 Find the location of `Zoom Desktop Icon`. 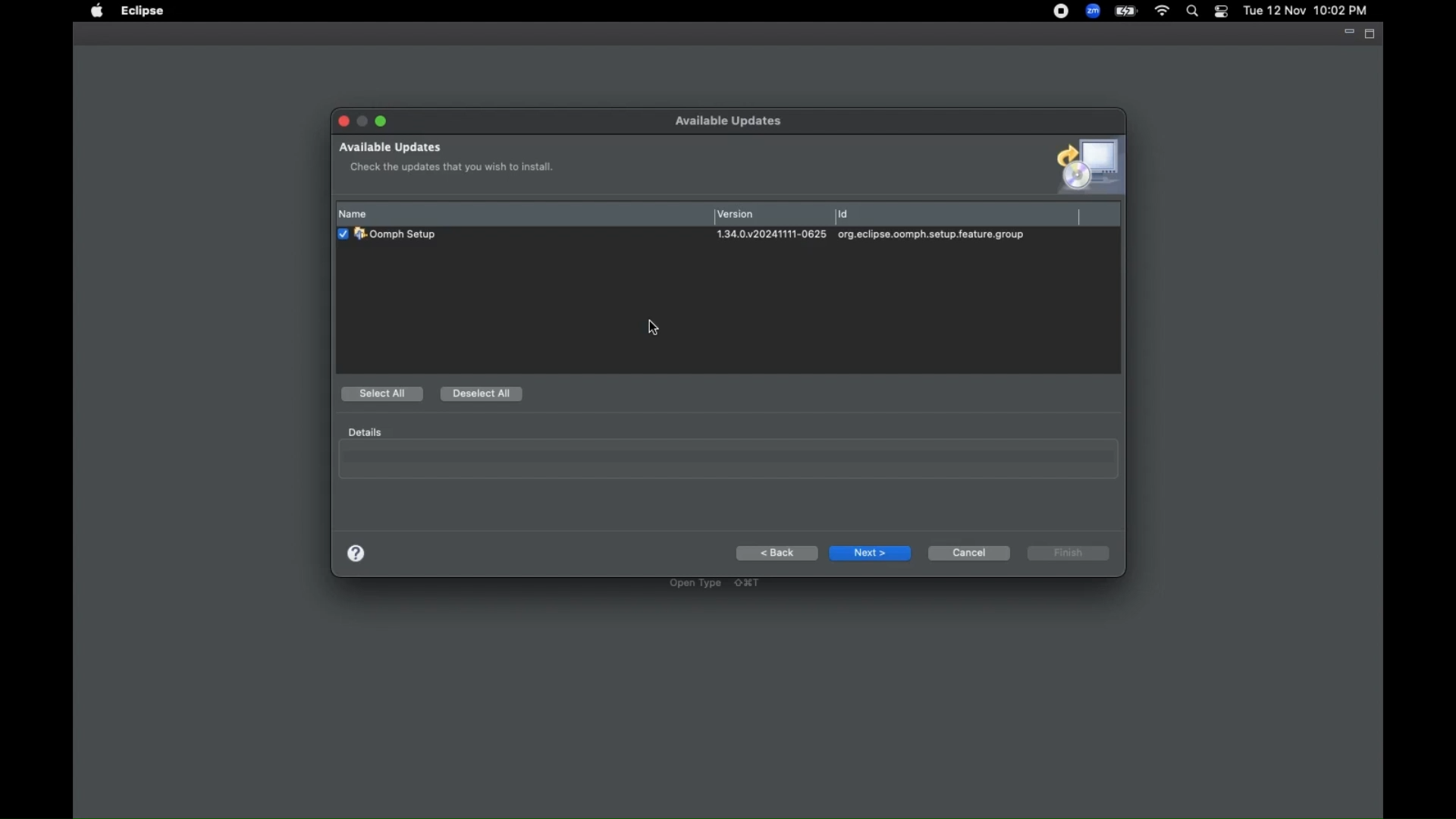

Zoom Desktop Icon is located at coordinates (1093, 11).